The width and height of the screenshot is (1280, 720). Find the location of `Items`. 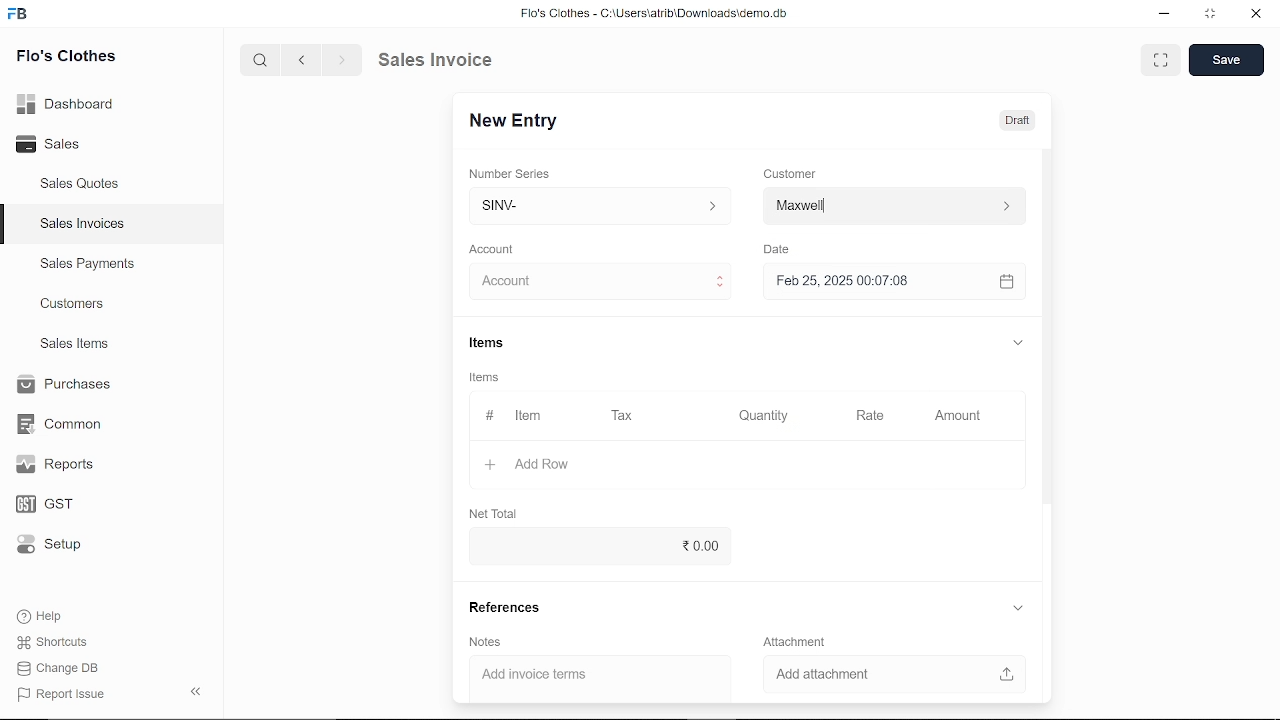

Items is located at coordinates (491, 343).